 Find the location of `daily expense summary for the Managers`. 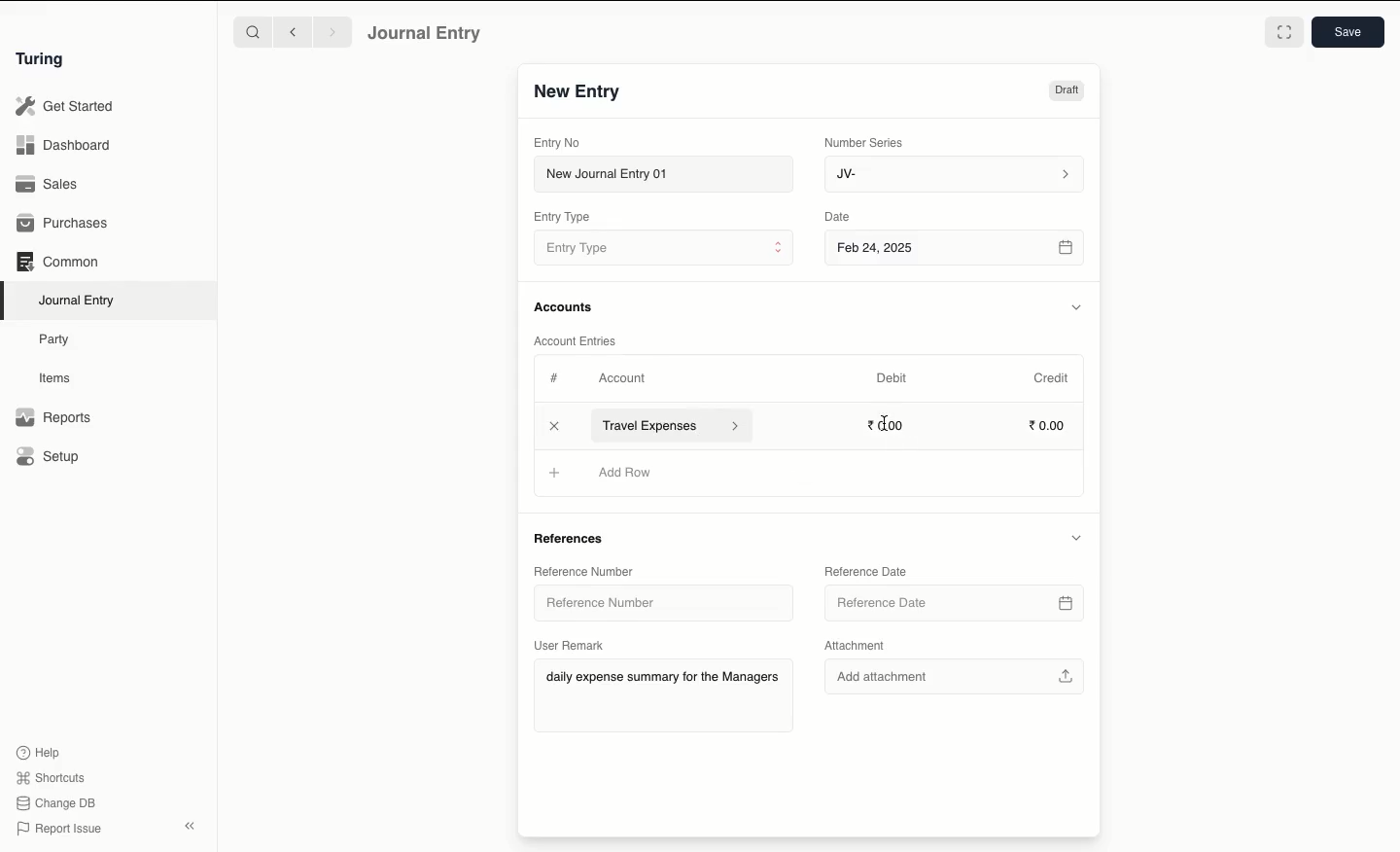

daily expense summary for the Managers is located at coordinates (661, 678).